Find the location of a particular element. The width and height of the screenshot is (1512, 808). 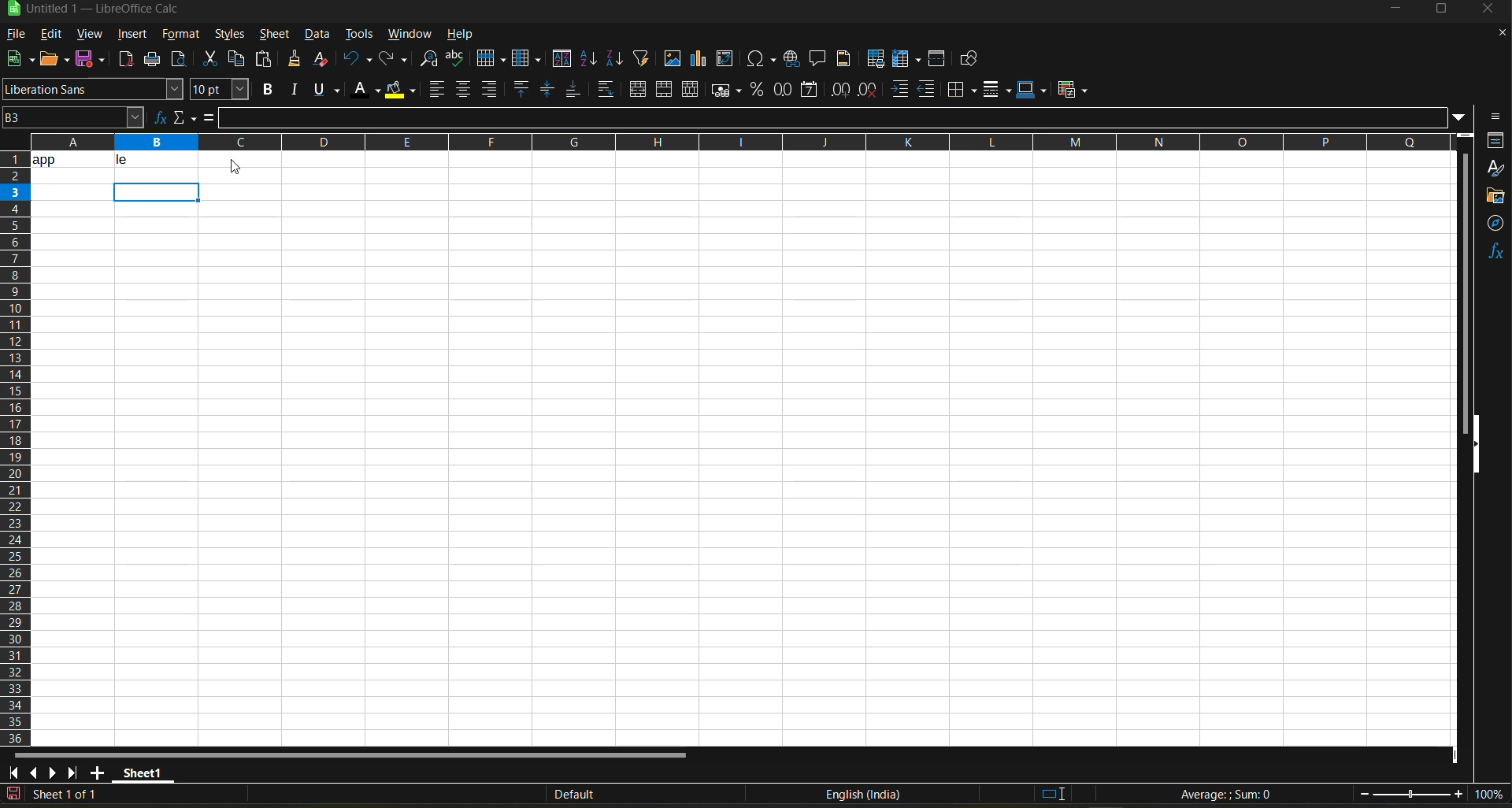

row is located at coordinates (491, 57).